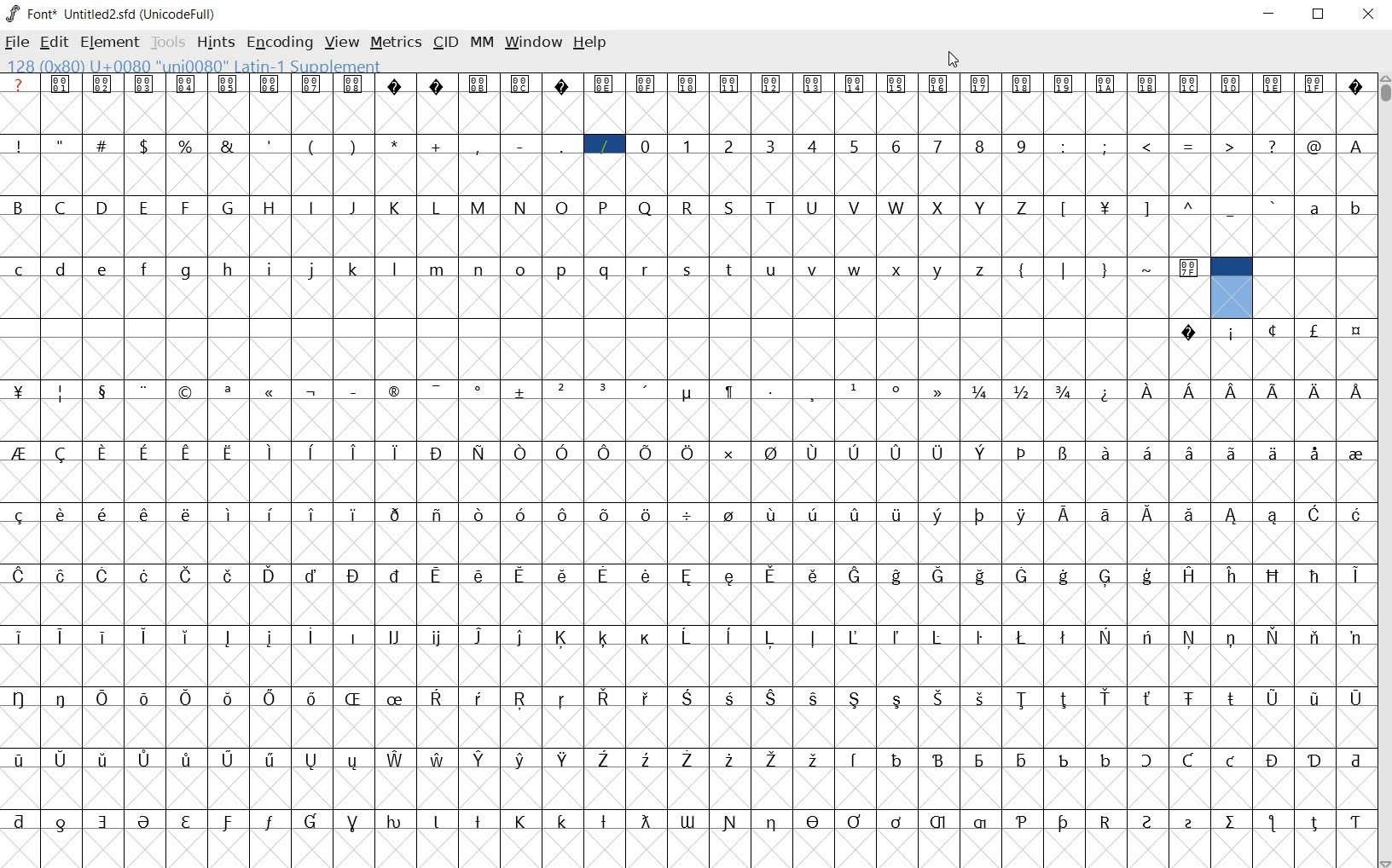 This screenshot has width=1392, height=868. Describe the element at coordinates (1188, 513) in the screenshot. I see `Symbol` at that location.